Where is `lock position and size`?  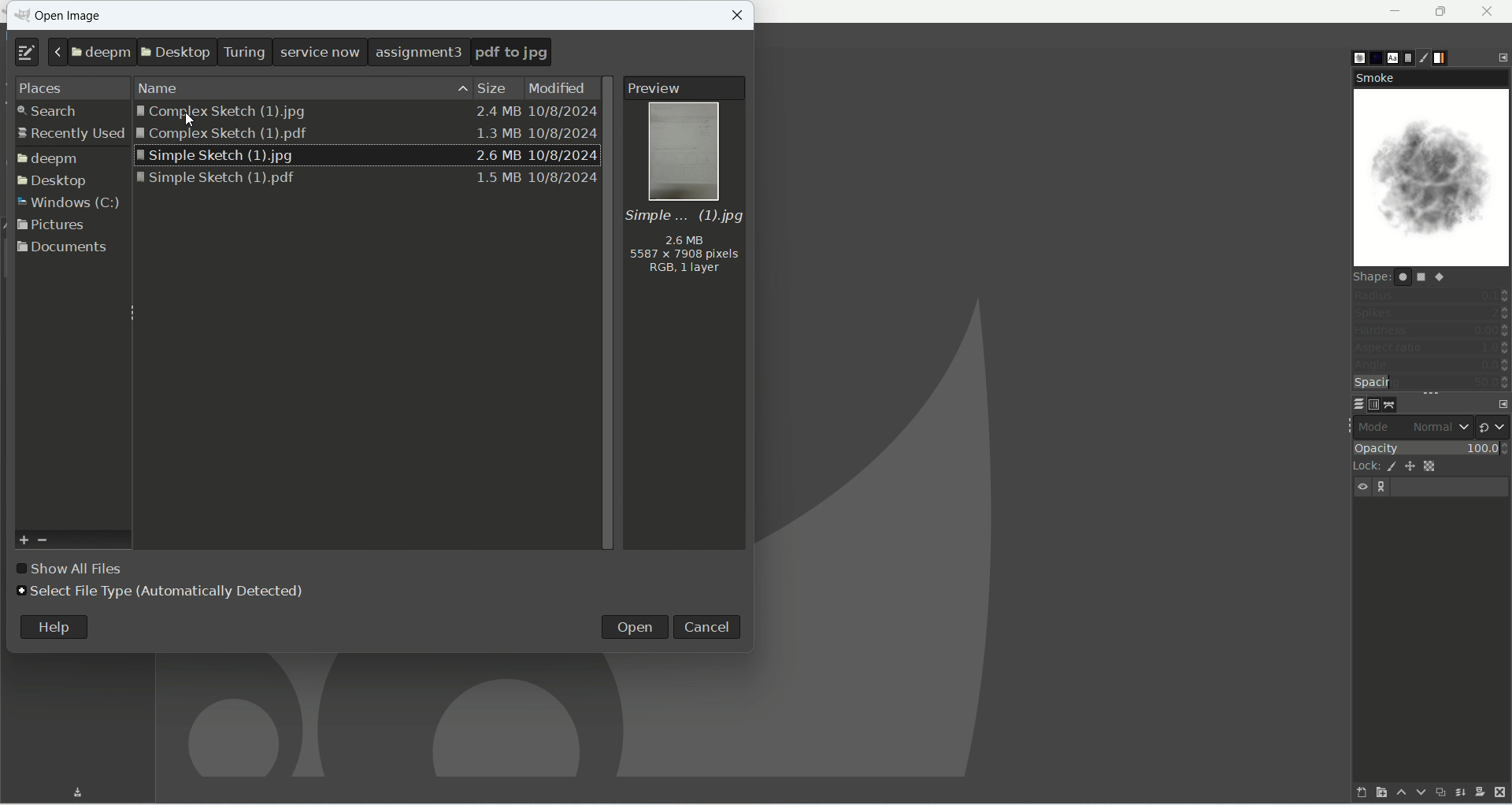 lock position and size is located at coordinates (1411, 467).